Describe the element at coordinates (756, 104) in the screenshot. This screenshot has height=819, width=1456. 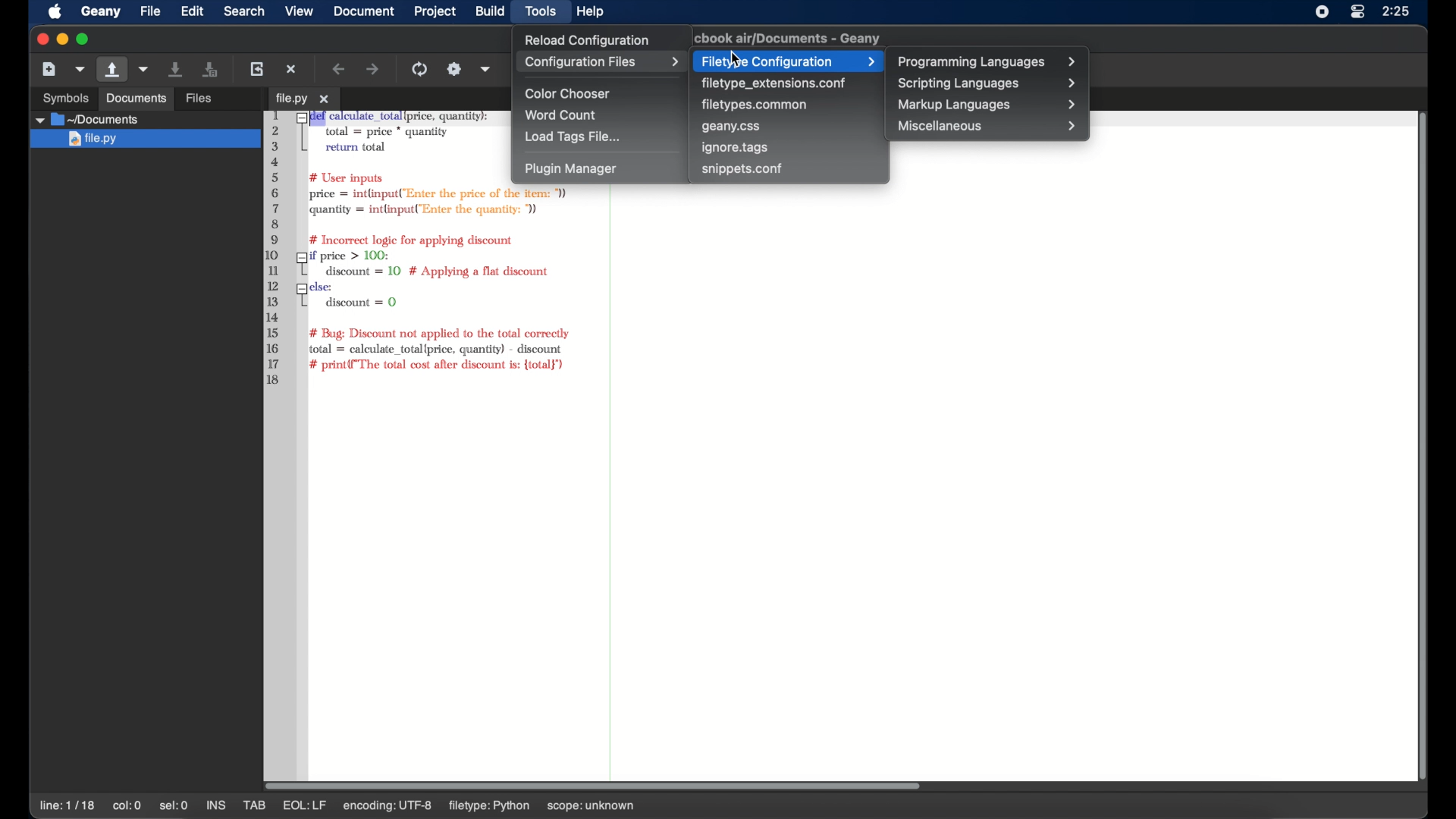
I see `filetypes.common` at that location.